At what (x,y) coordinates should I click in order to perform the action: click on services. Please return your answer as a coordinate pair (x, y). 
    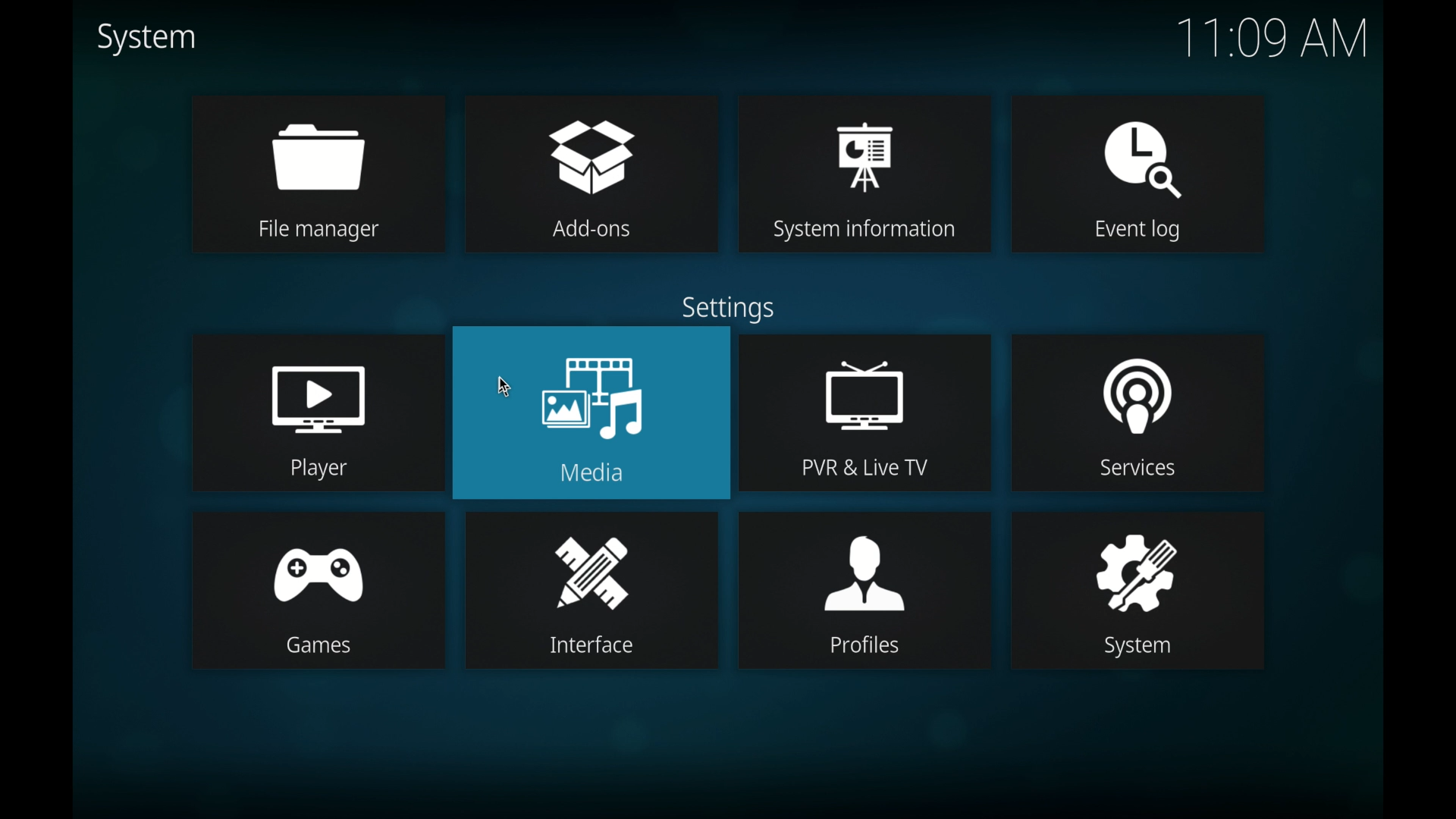
    Looking at the image, I should click on (1139, 413).